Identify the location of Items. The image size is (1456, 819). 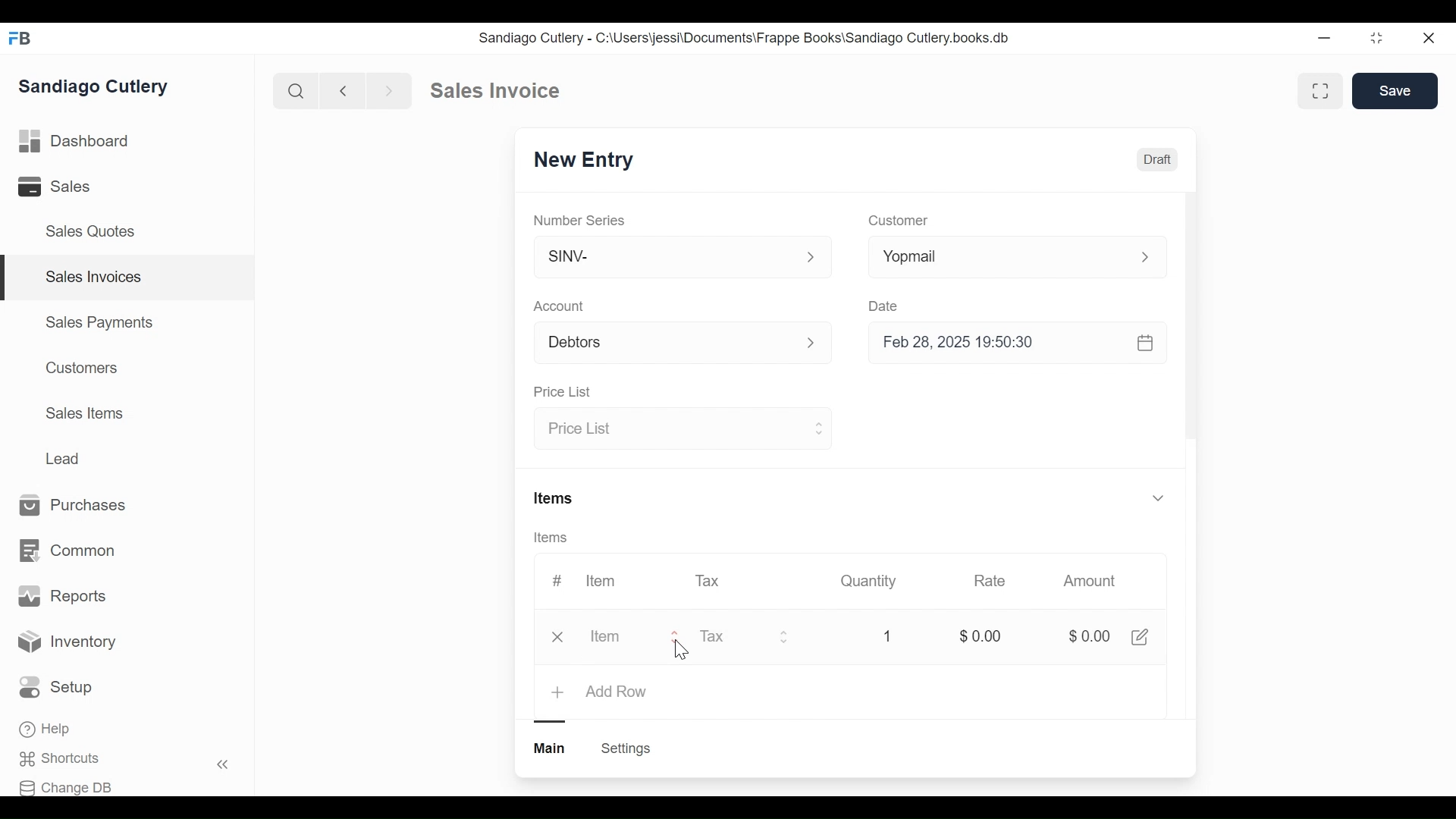
(556, 497).